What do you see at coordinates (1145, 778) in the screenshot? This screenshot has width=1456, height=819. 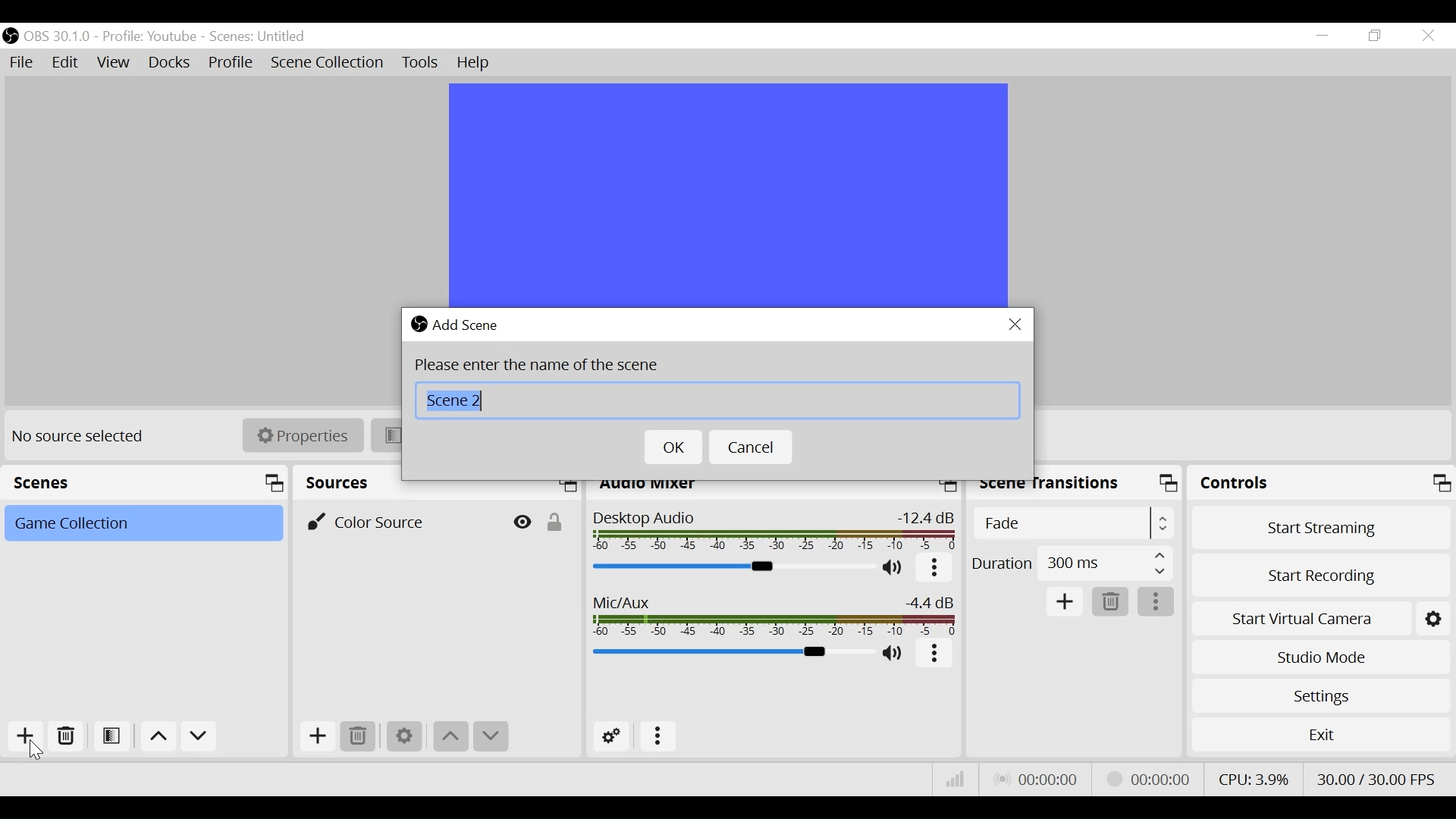 I see `Streaming Status` at bounding box center [1145, 778].